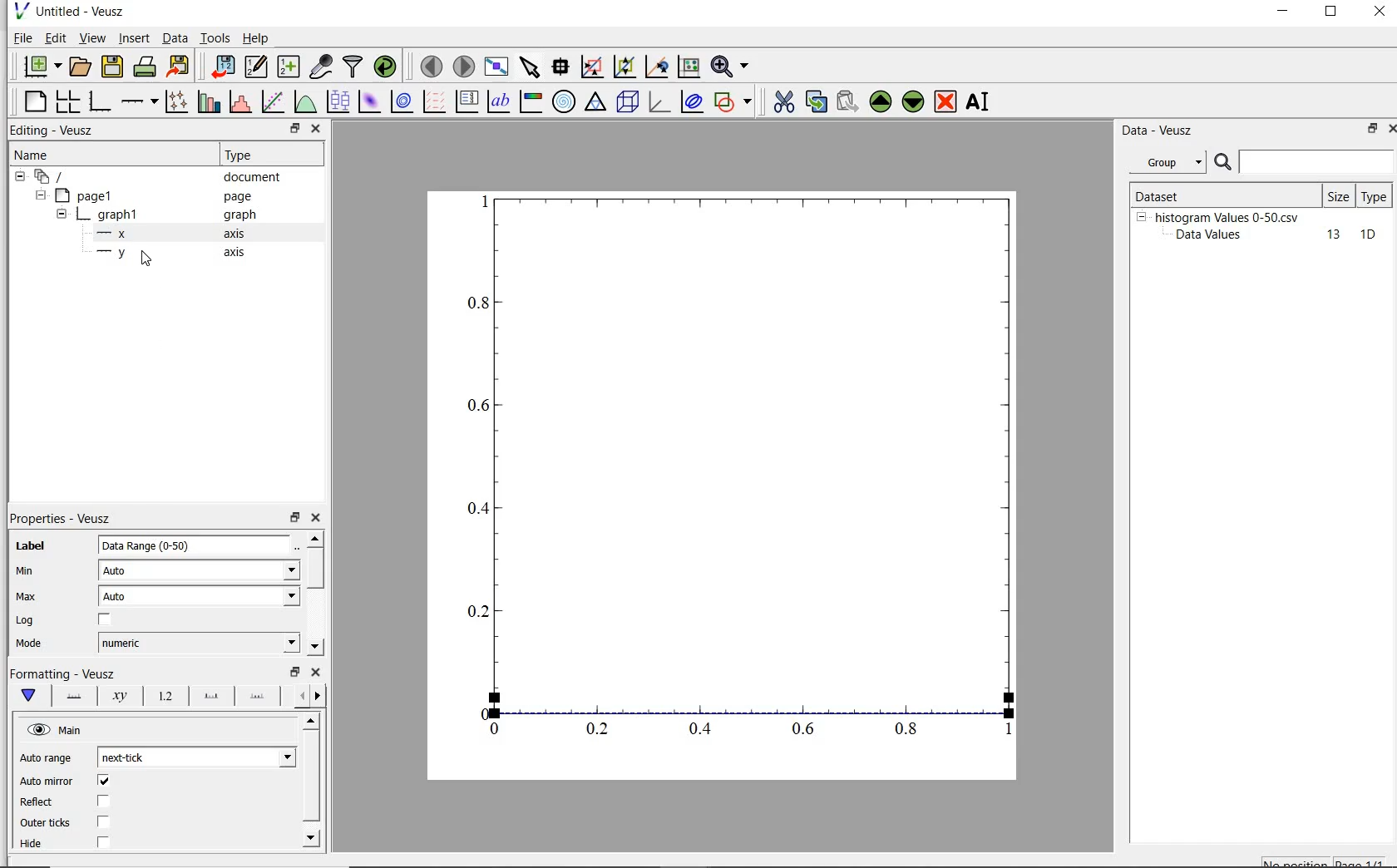  I want to click on plot 2d dataset as contours, so click(402, 101).